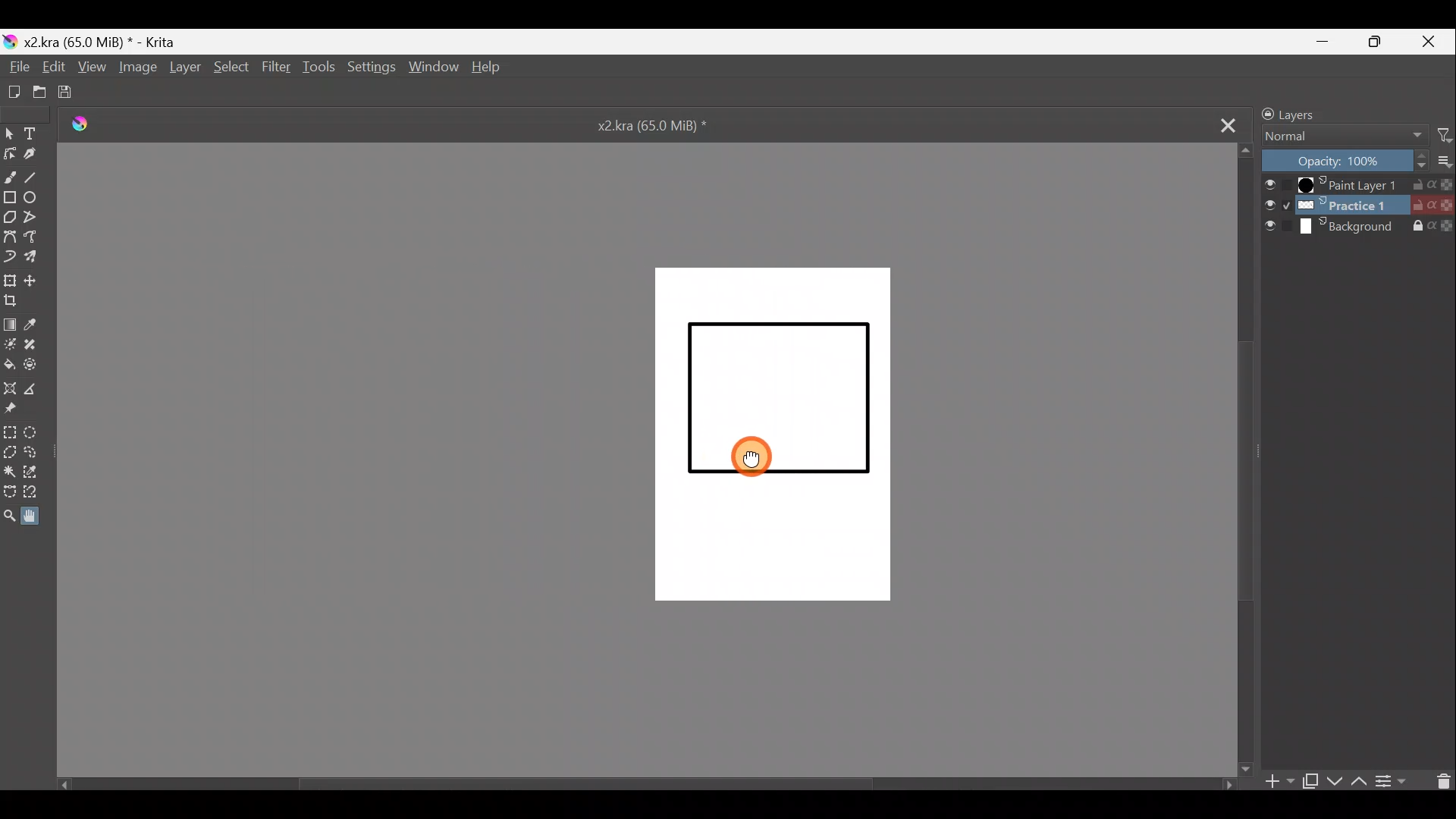  Describe the element at coordinates (14, 301) in the screenshot. I see `Crop image to an area` at that location.